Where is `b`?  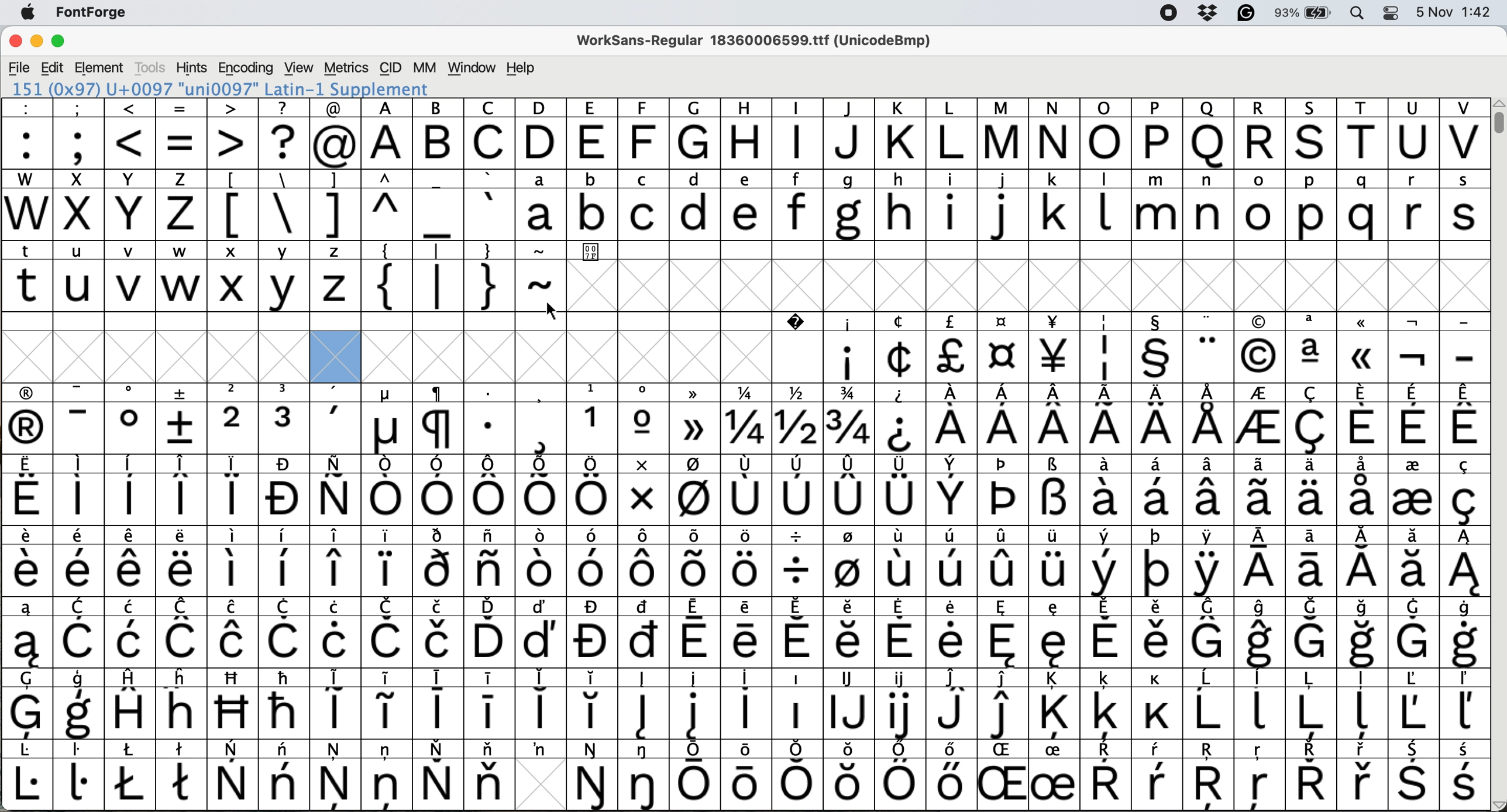 b is located at coordinates (592, 206).